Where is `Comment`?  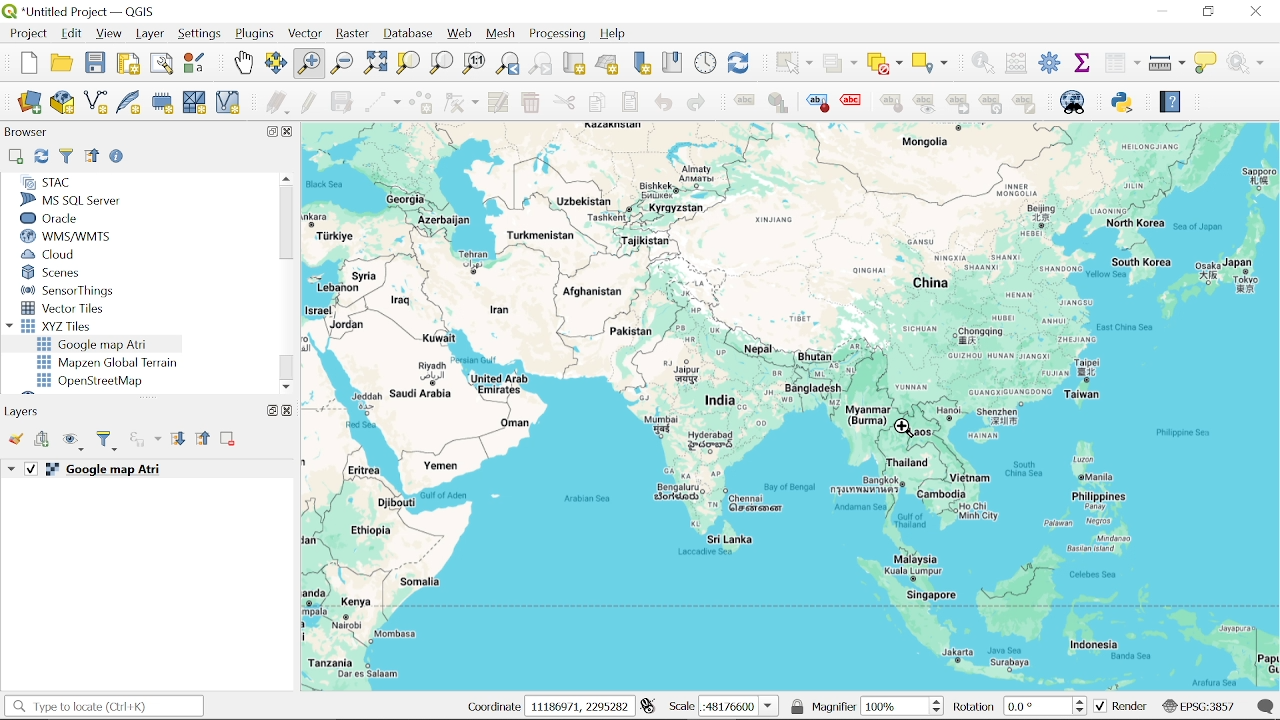
Comment is located at coordinates (1267, 706).